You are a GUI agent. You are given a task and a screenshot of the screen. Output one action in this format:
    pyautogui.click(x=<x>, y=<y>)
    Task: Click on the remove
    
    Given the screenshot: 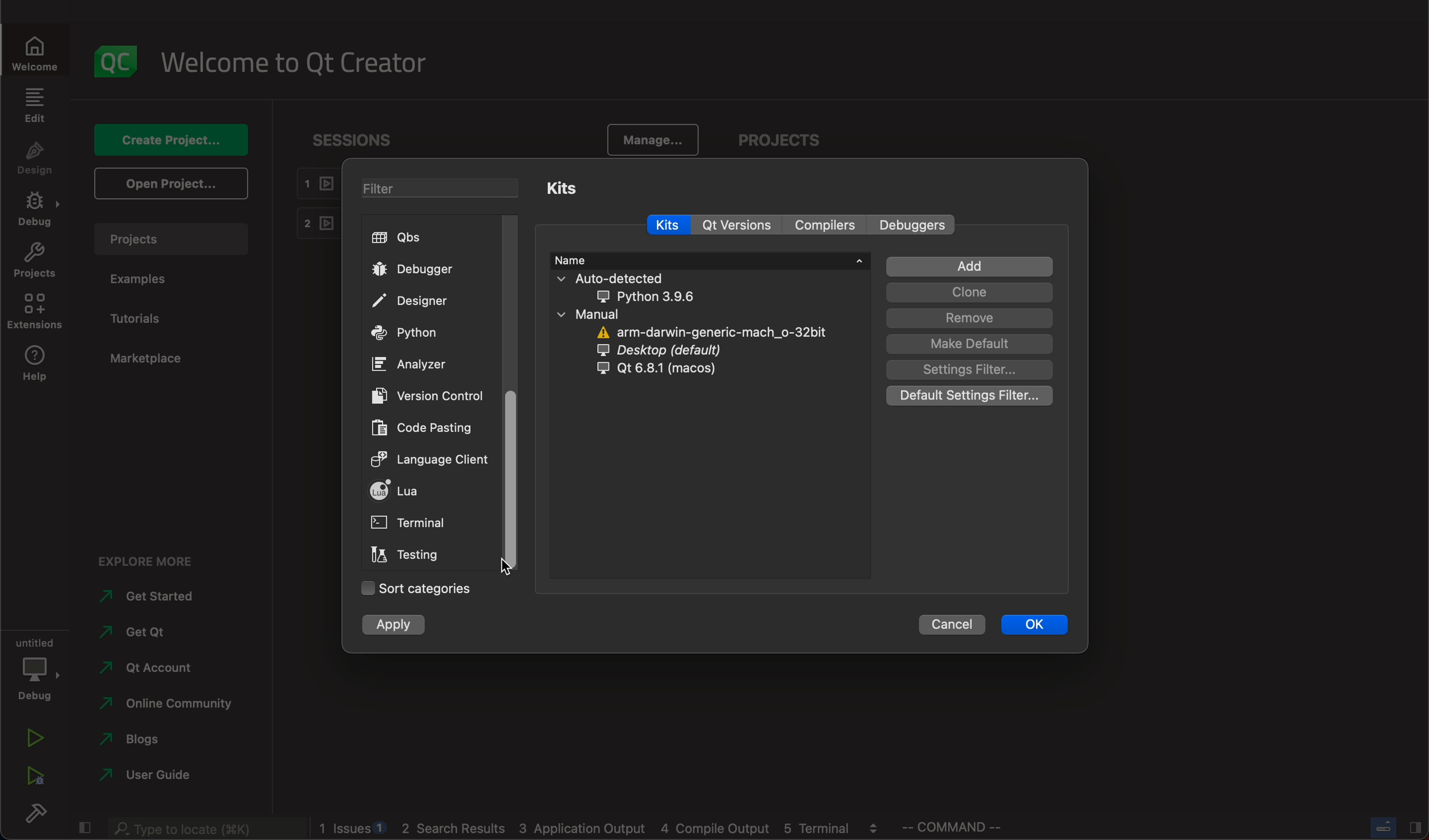 What is the action you would take?
    pyautogui.click(x=968, y=318)
    